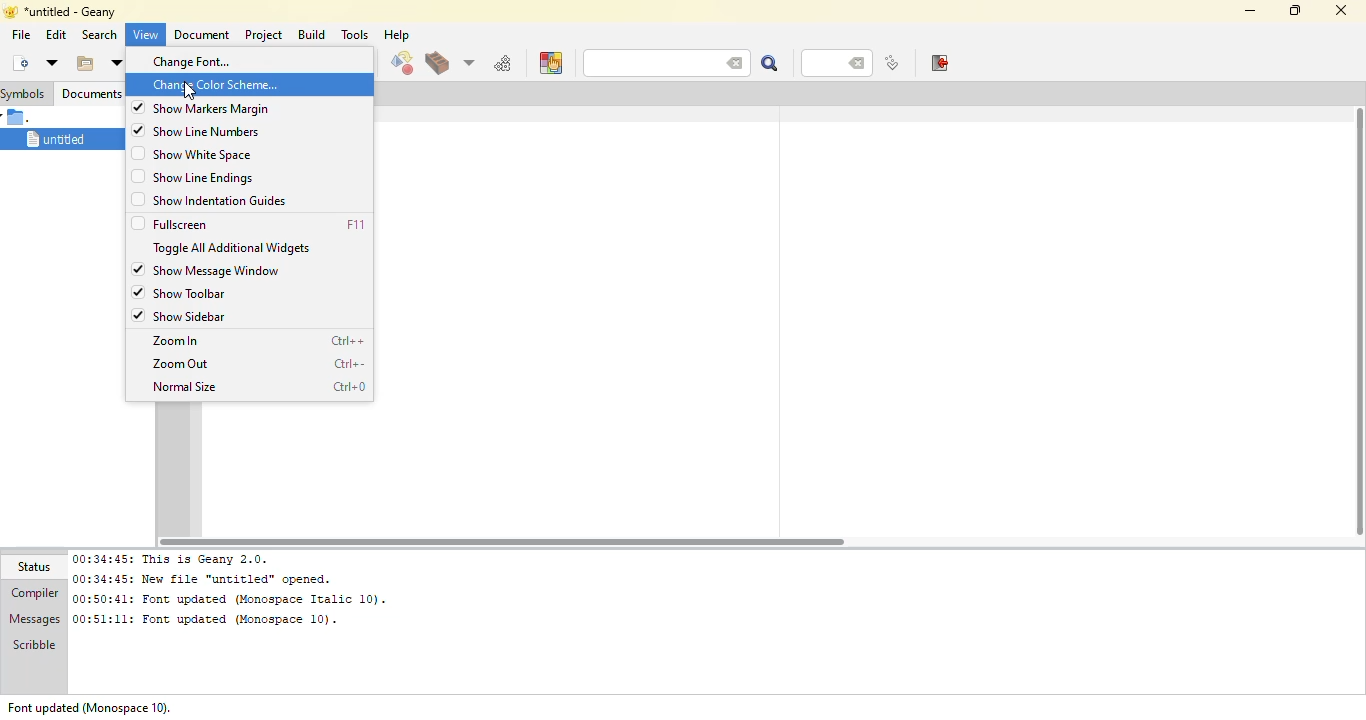 The width and height of the screenshot is (1366, 720). What do you see at coordinates (80, 12) in the screenshot?
I see `*untitled - geany` at bounding box center [80, 12].